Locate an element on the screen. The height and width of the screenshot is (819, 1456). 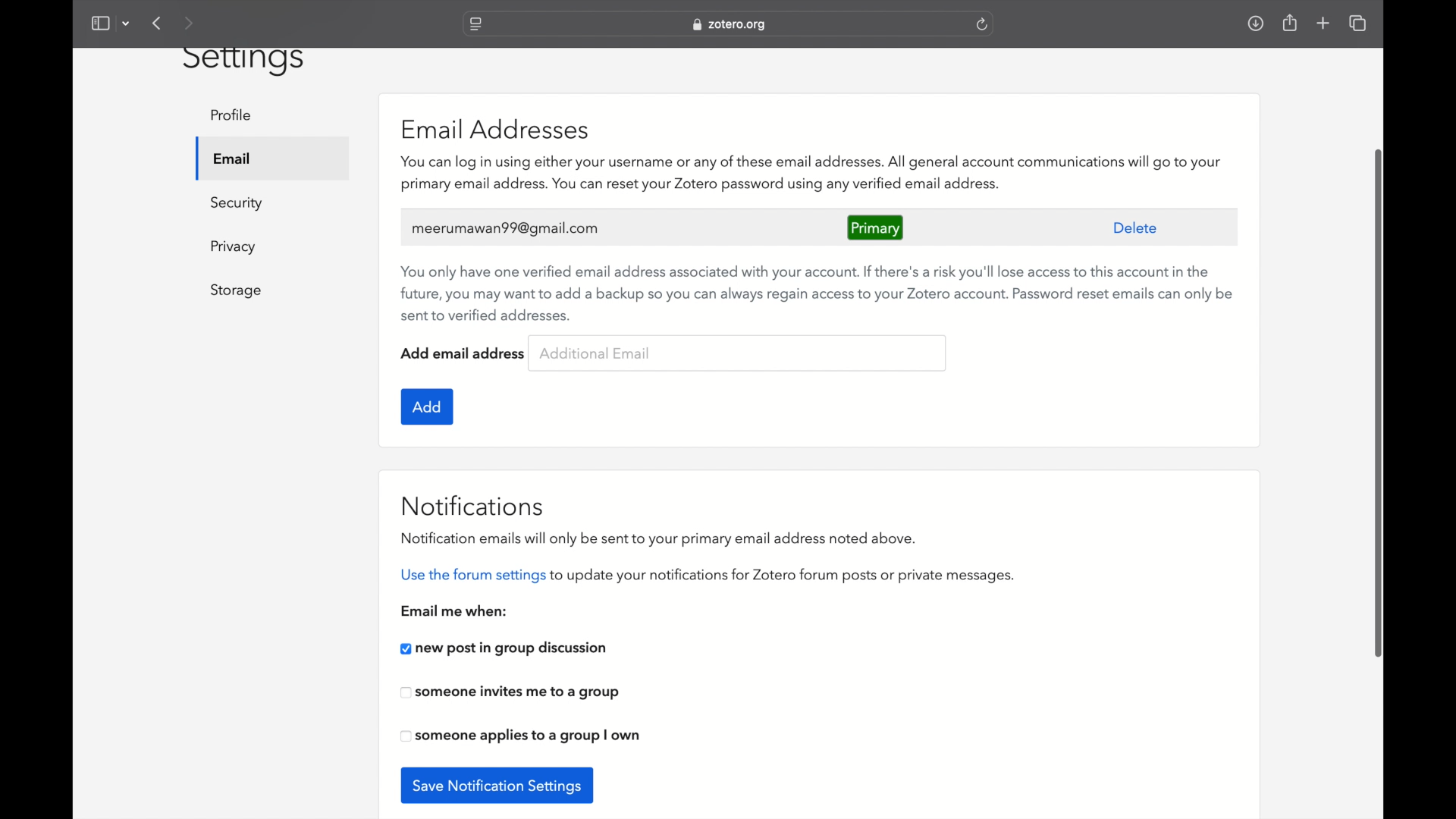
refresh is located at coordinates (983, 24).